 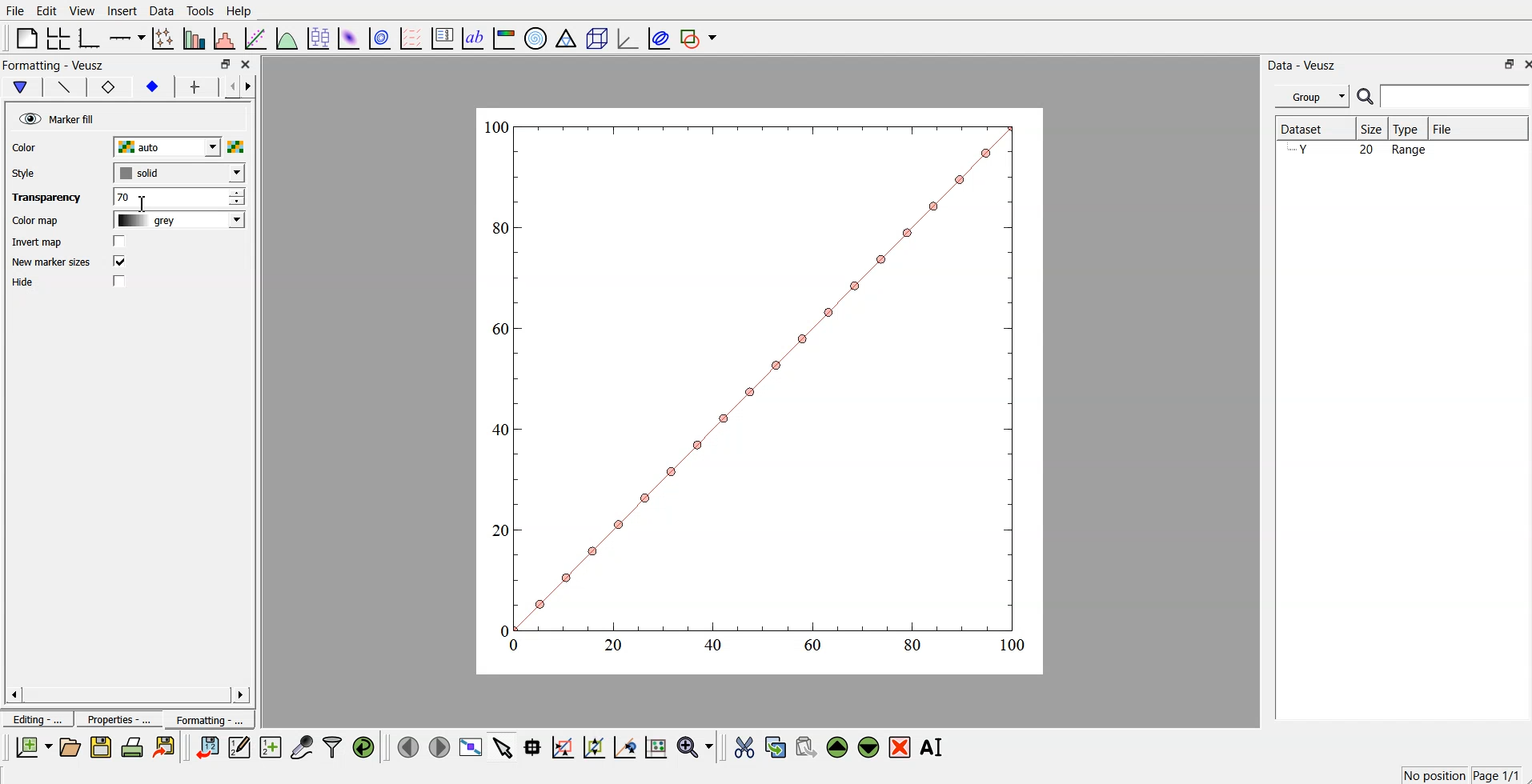 I want to click on Color, so click(x=28, y=147).